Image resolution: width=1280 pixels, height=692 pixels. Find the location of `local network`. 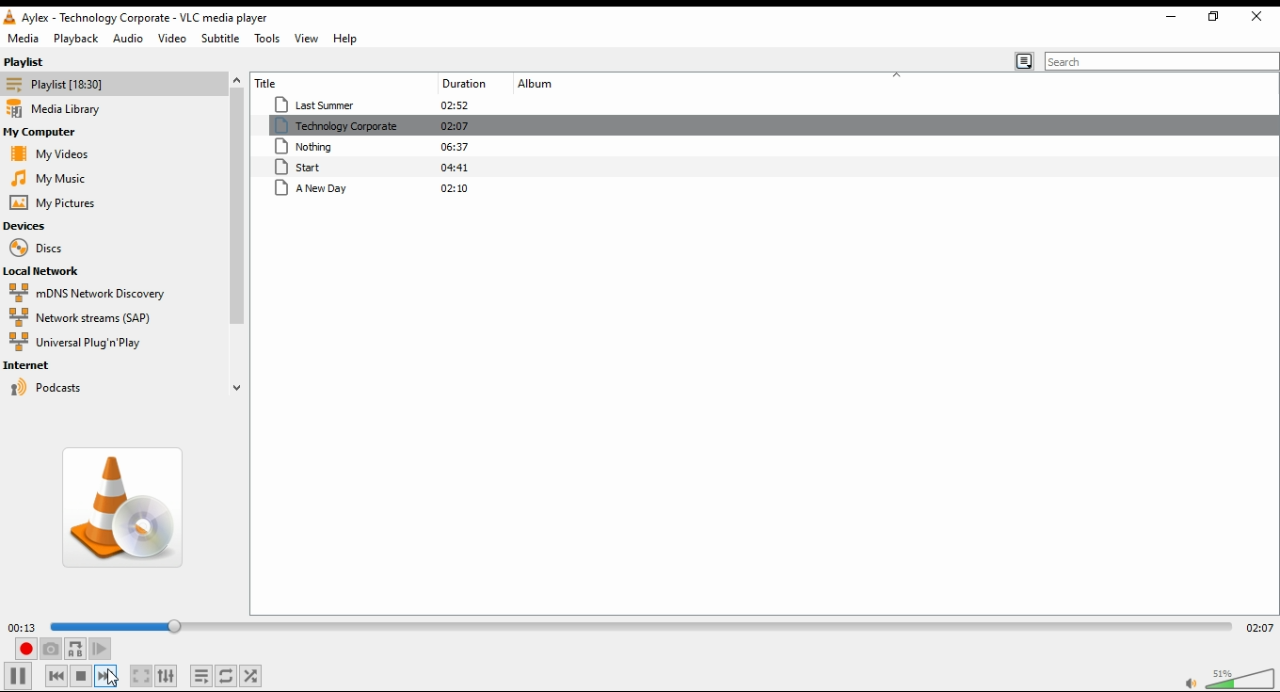

local network is located at coordinates (63, 272).